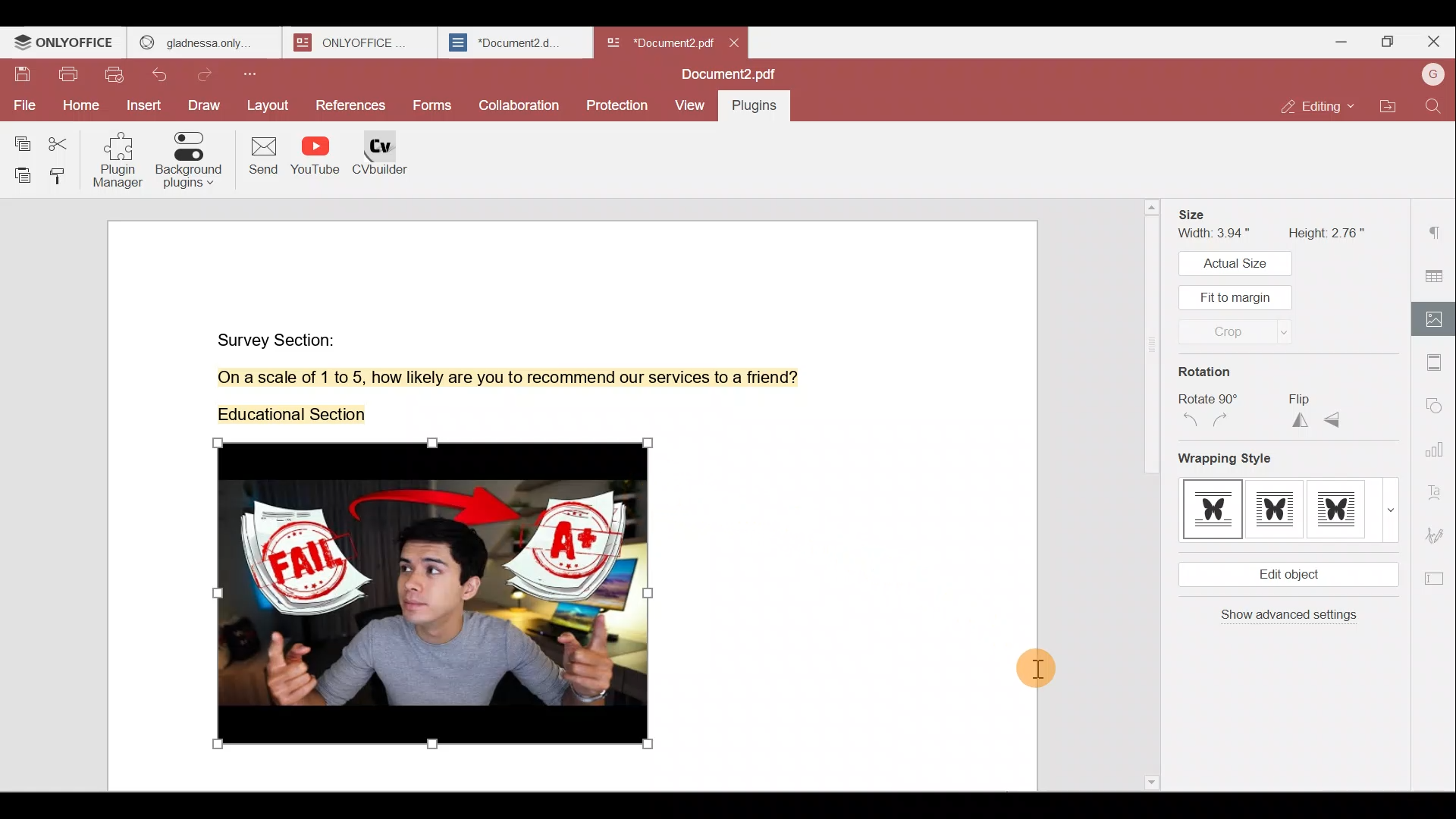  What do you see at coordinates (1043, 666) in the screenshot?
I see `Cursor` at bounding box center [1043, 666].